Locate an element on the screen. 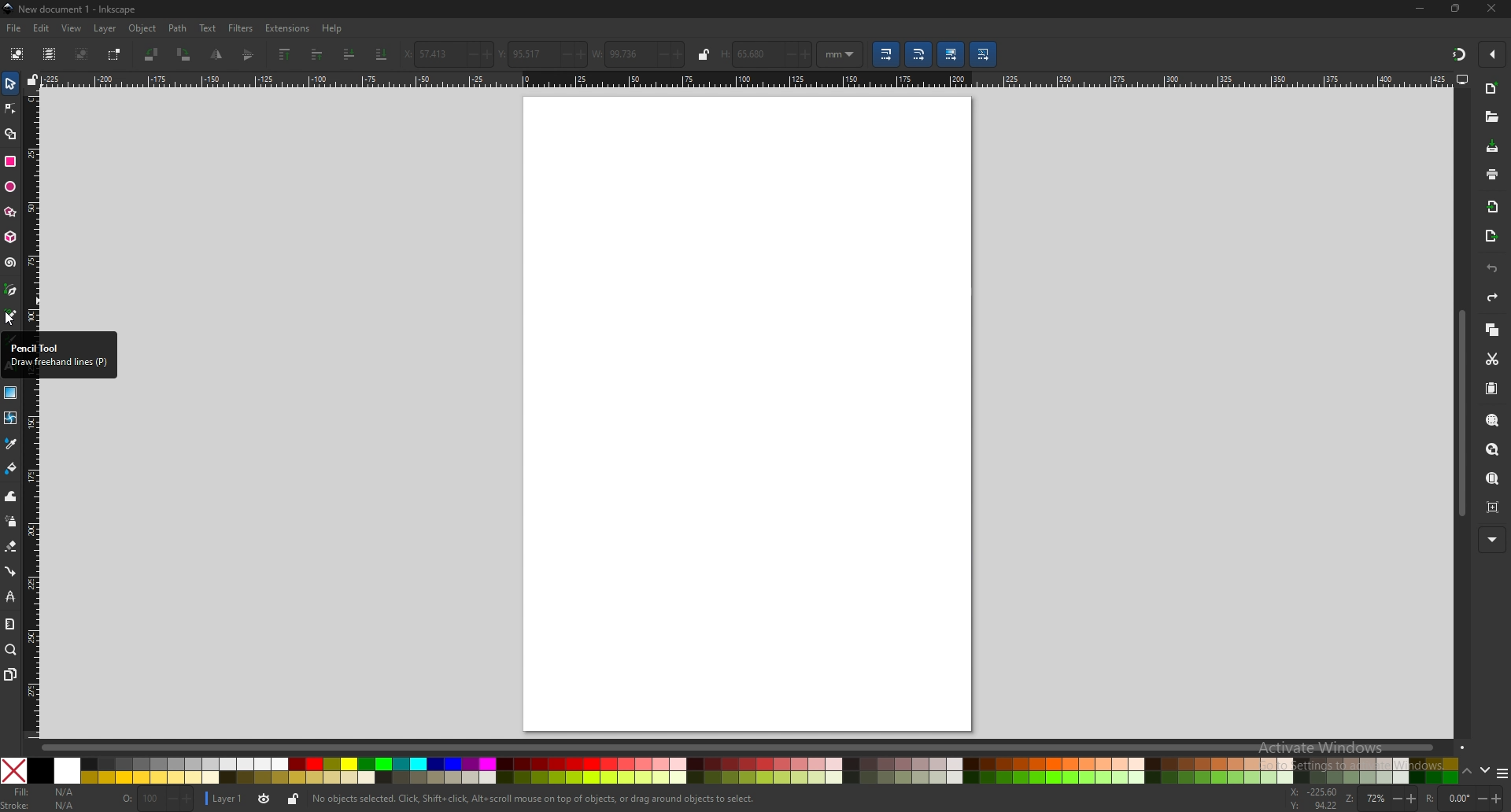 The image size is (1511, 812). 3d box is located at coordinates (10, 238).